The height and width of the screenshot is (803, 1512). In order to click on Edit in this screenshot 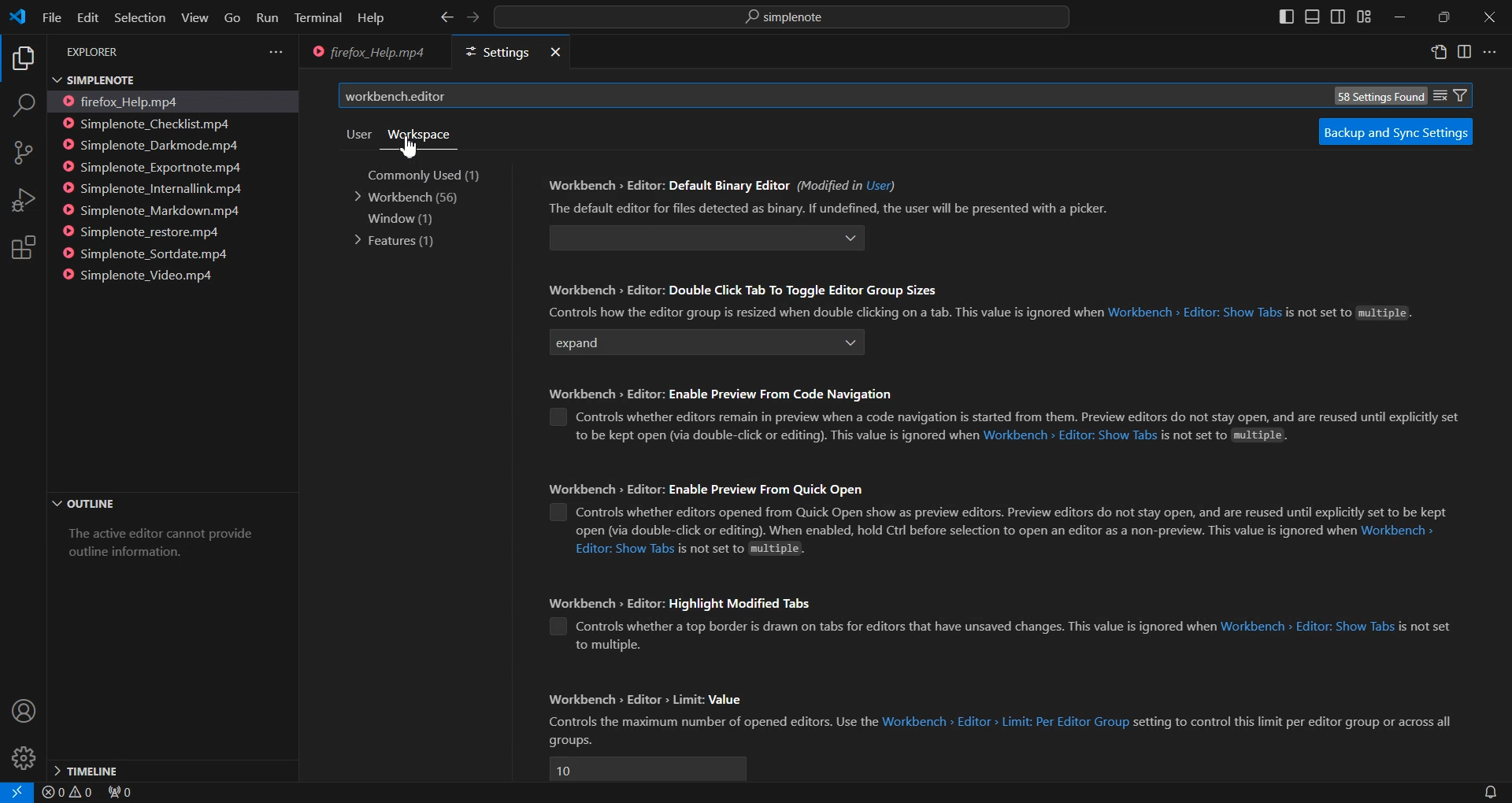, I will do `click(87, 17)`.